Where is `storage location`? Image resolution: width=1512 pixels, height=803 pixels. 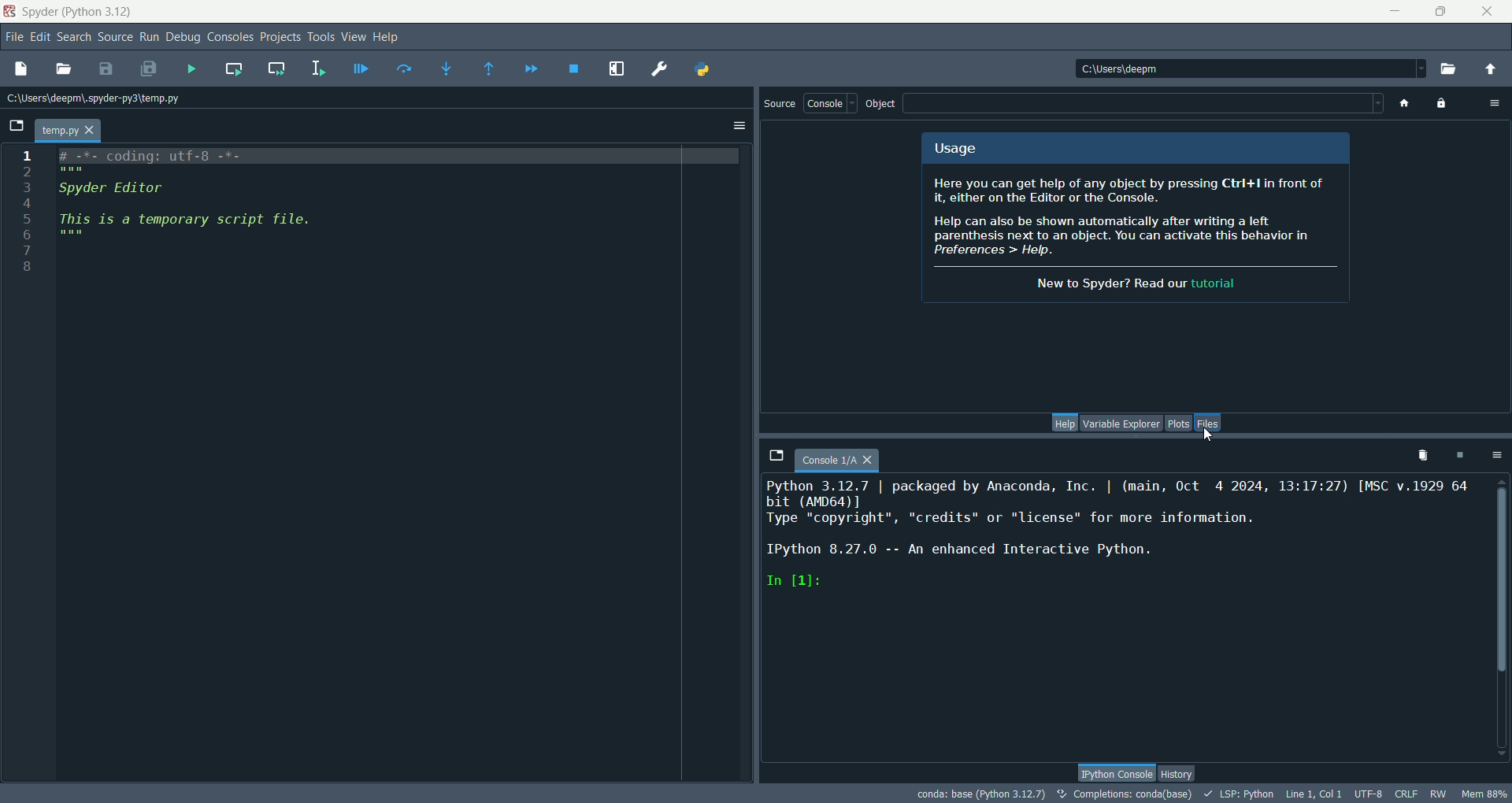
storage location is located at coordinates (98, 99).